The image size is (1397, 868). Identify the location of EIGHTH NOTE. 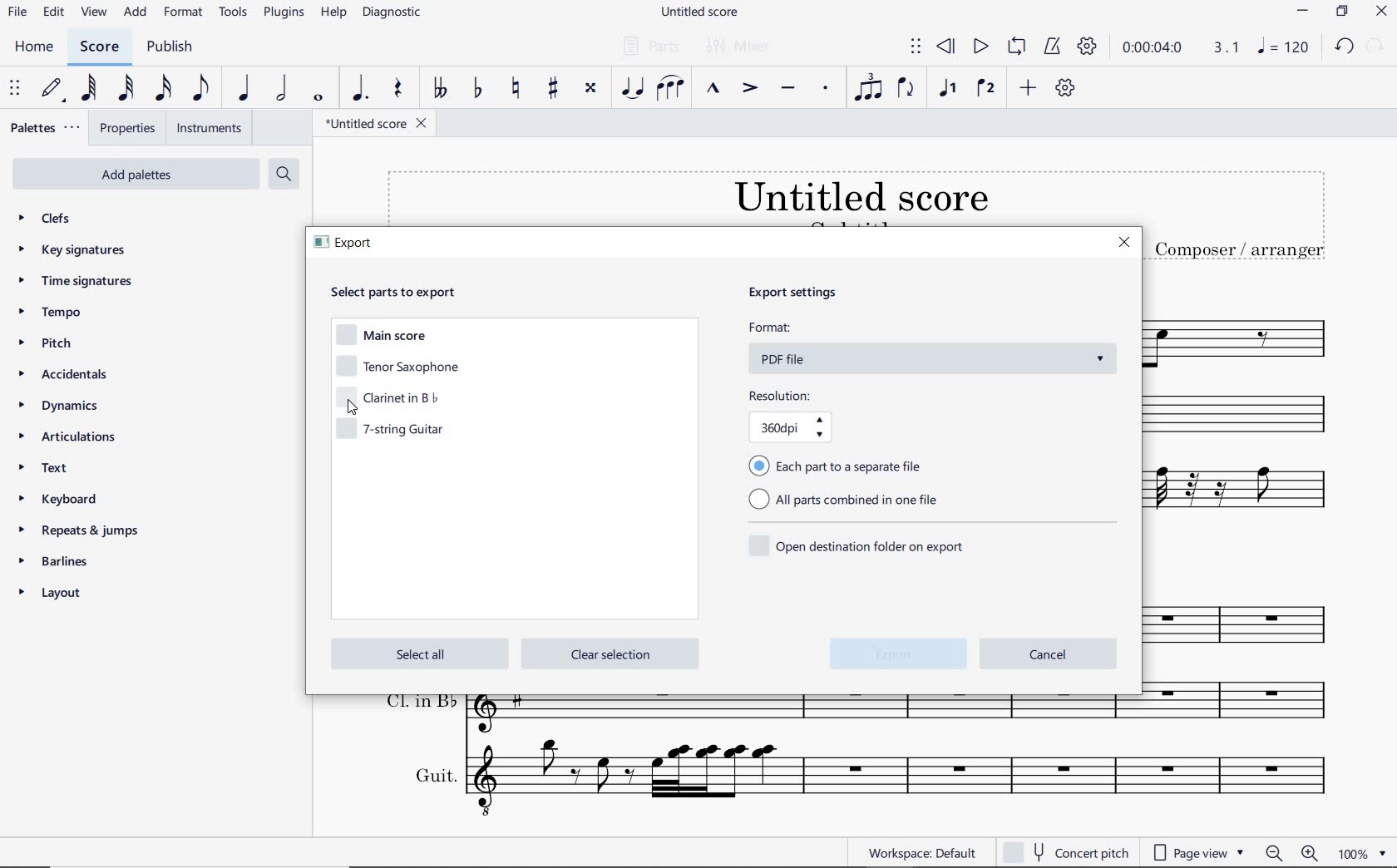
(201, 91).